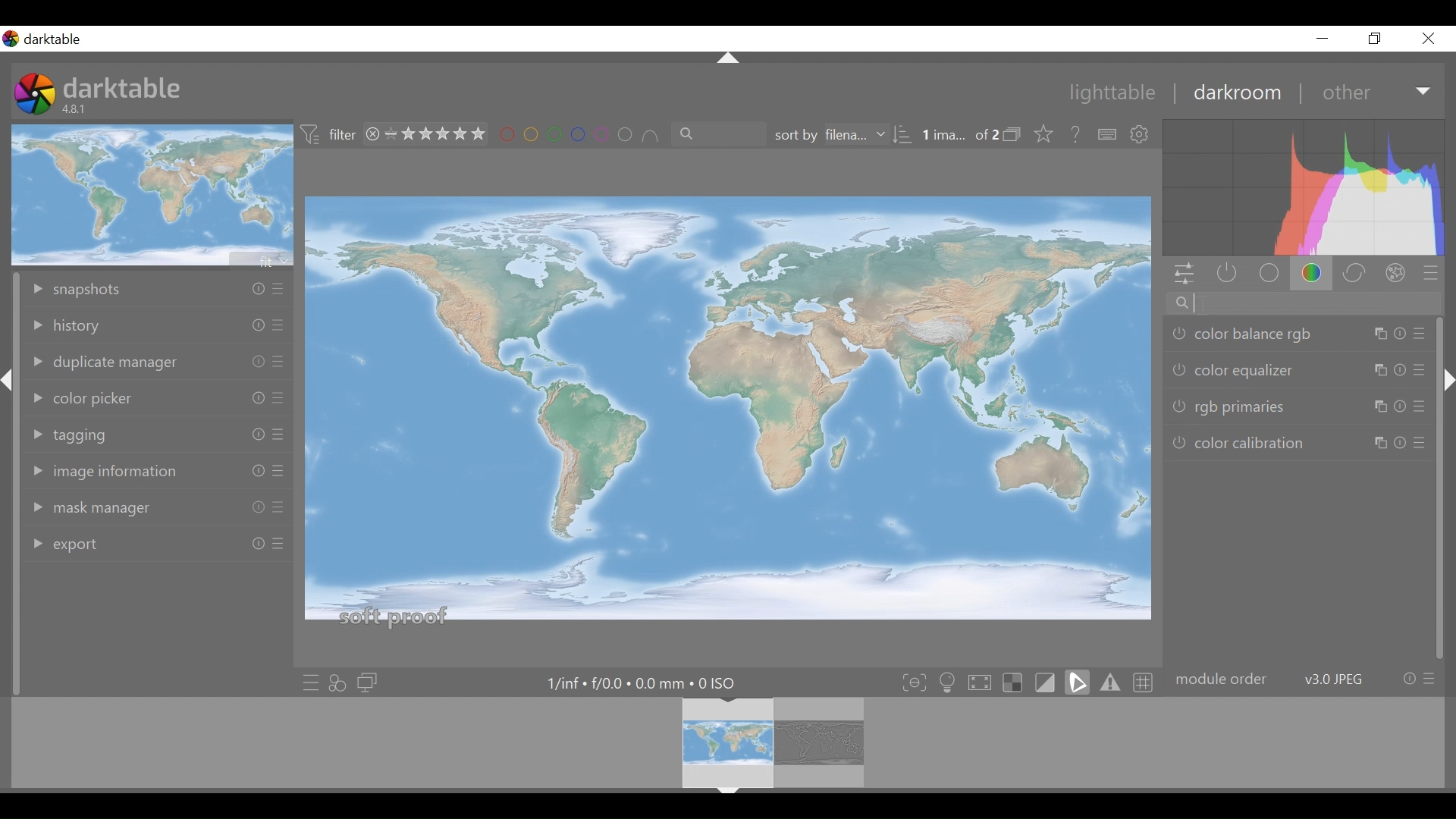 Image resolution: width=1456 pixels, height=819 pixels. I want to click on range rating, so click(435, 133).